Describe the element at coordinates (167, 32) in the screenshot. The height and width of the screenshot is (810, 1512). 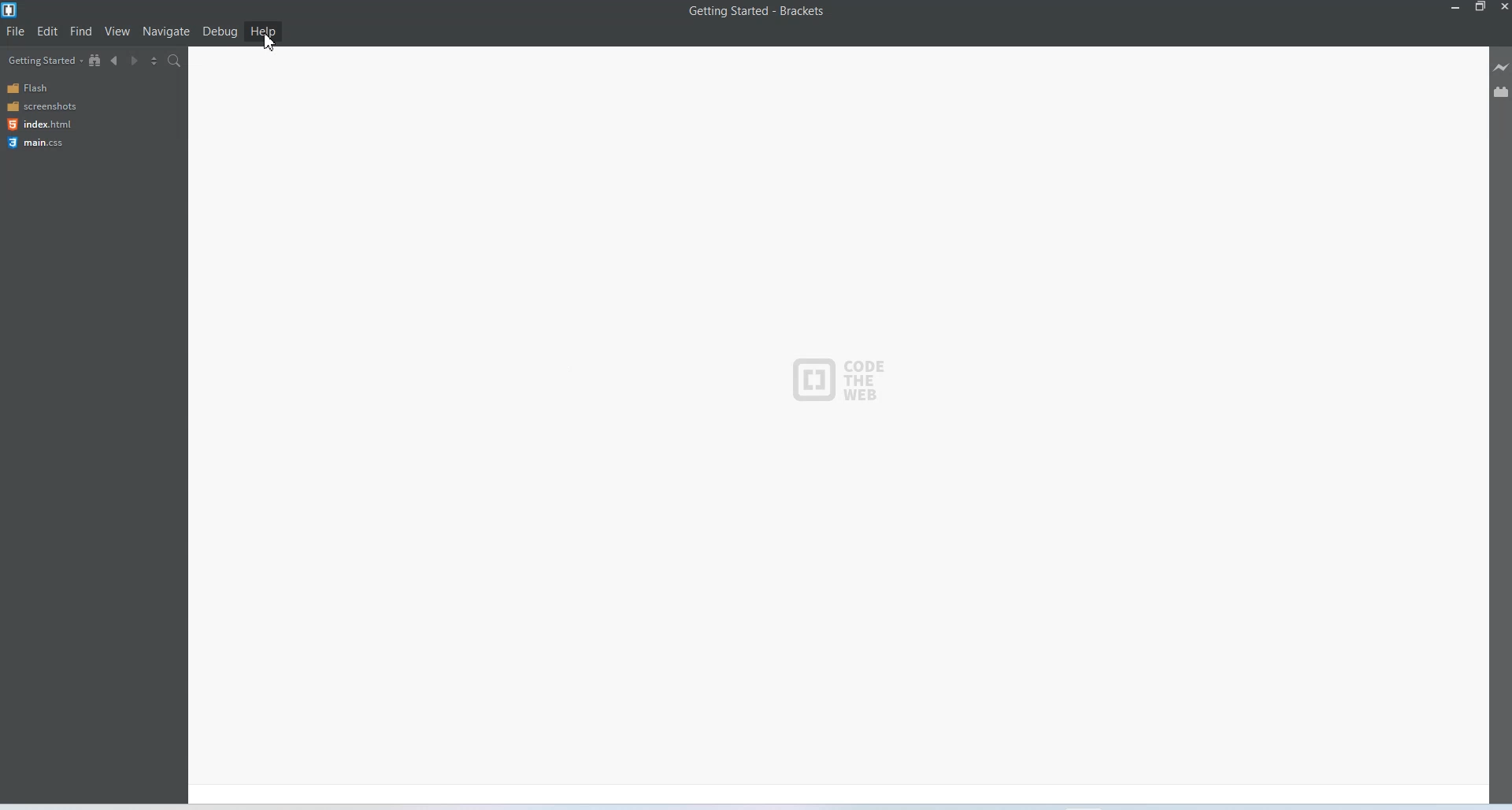
I see `Navigate` at that location.